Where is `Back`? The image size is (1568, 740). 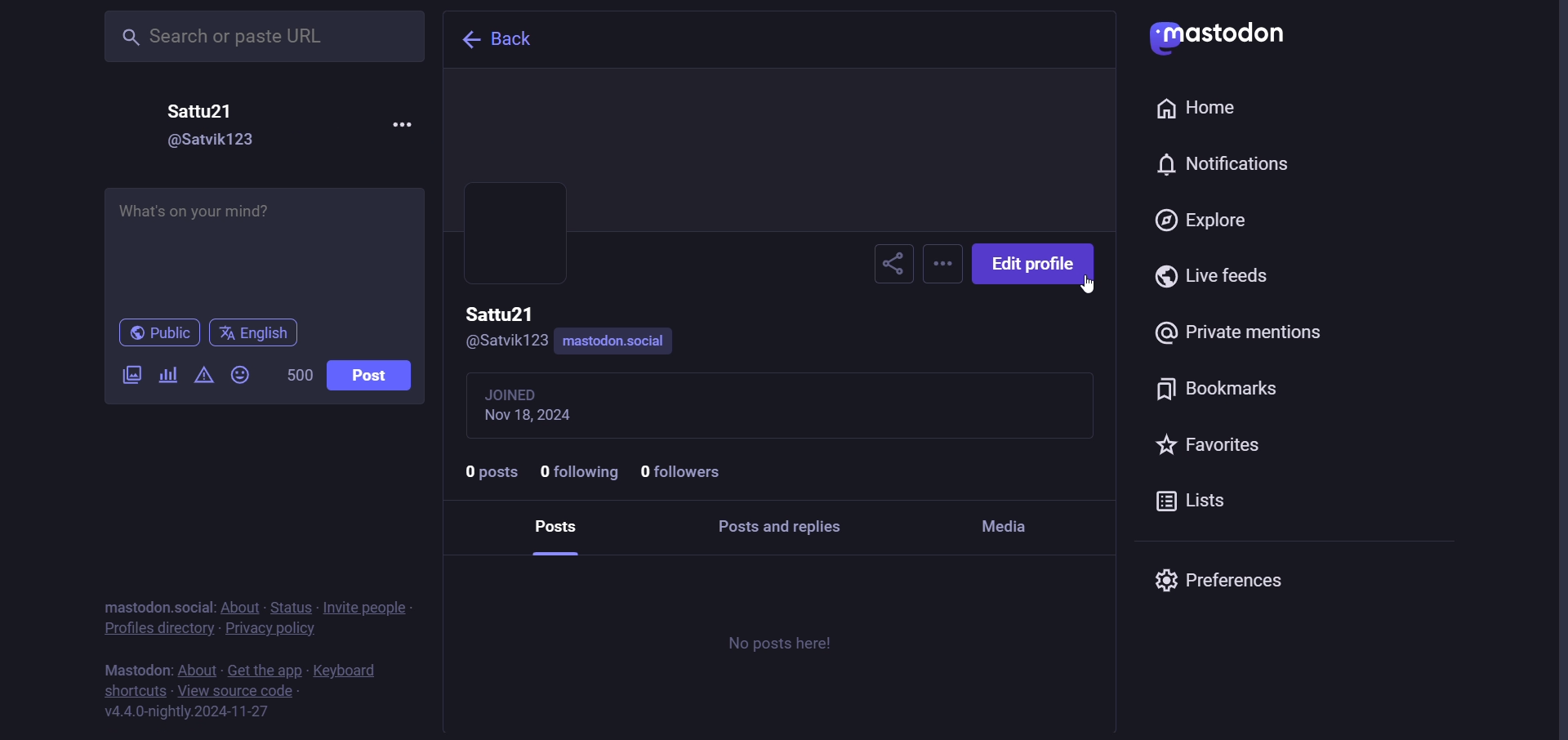
Back is located at coordinates (500, 37).